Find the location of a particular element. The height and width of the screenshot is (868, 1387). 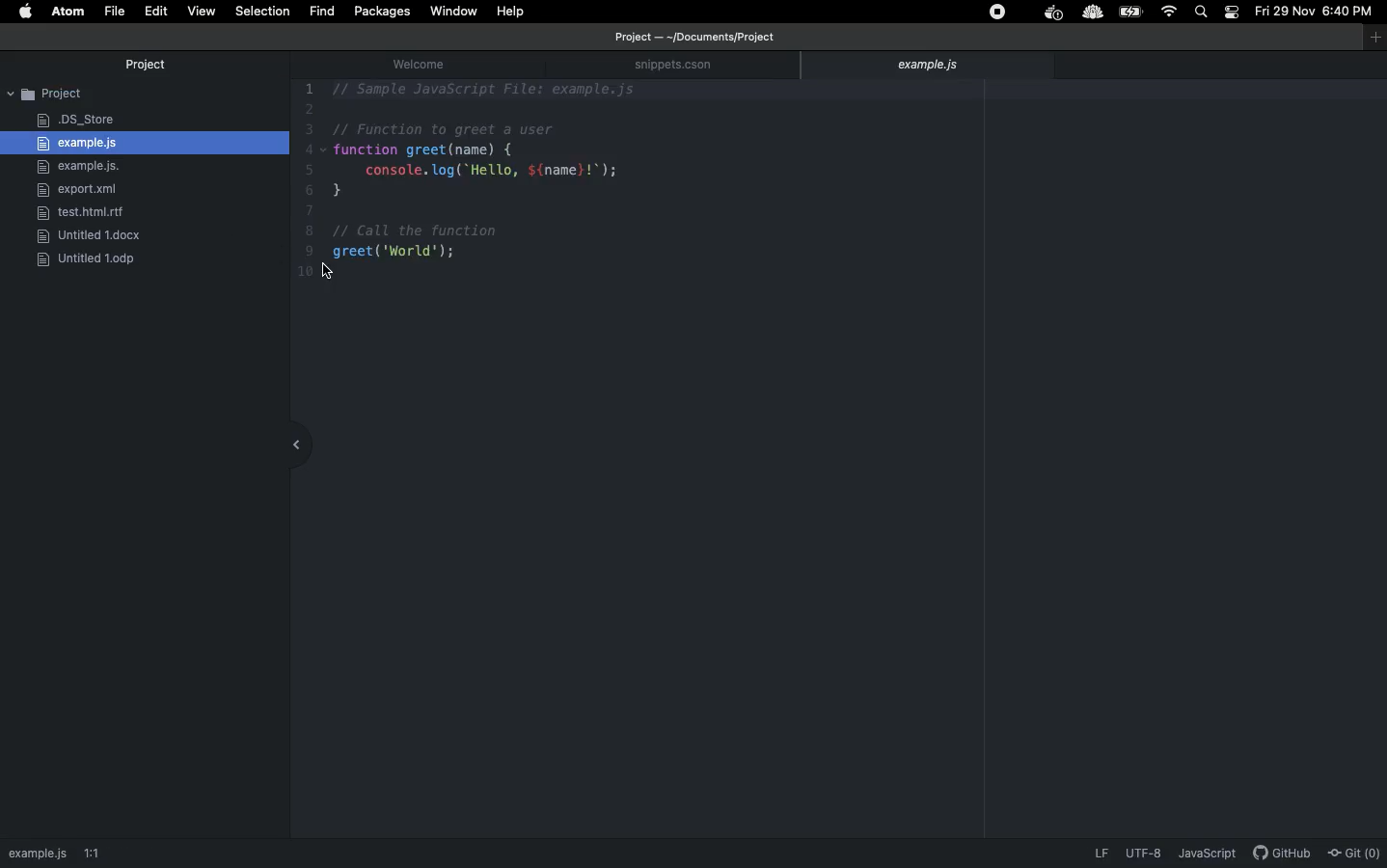

View is located at coordinates (202, 12).